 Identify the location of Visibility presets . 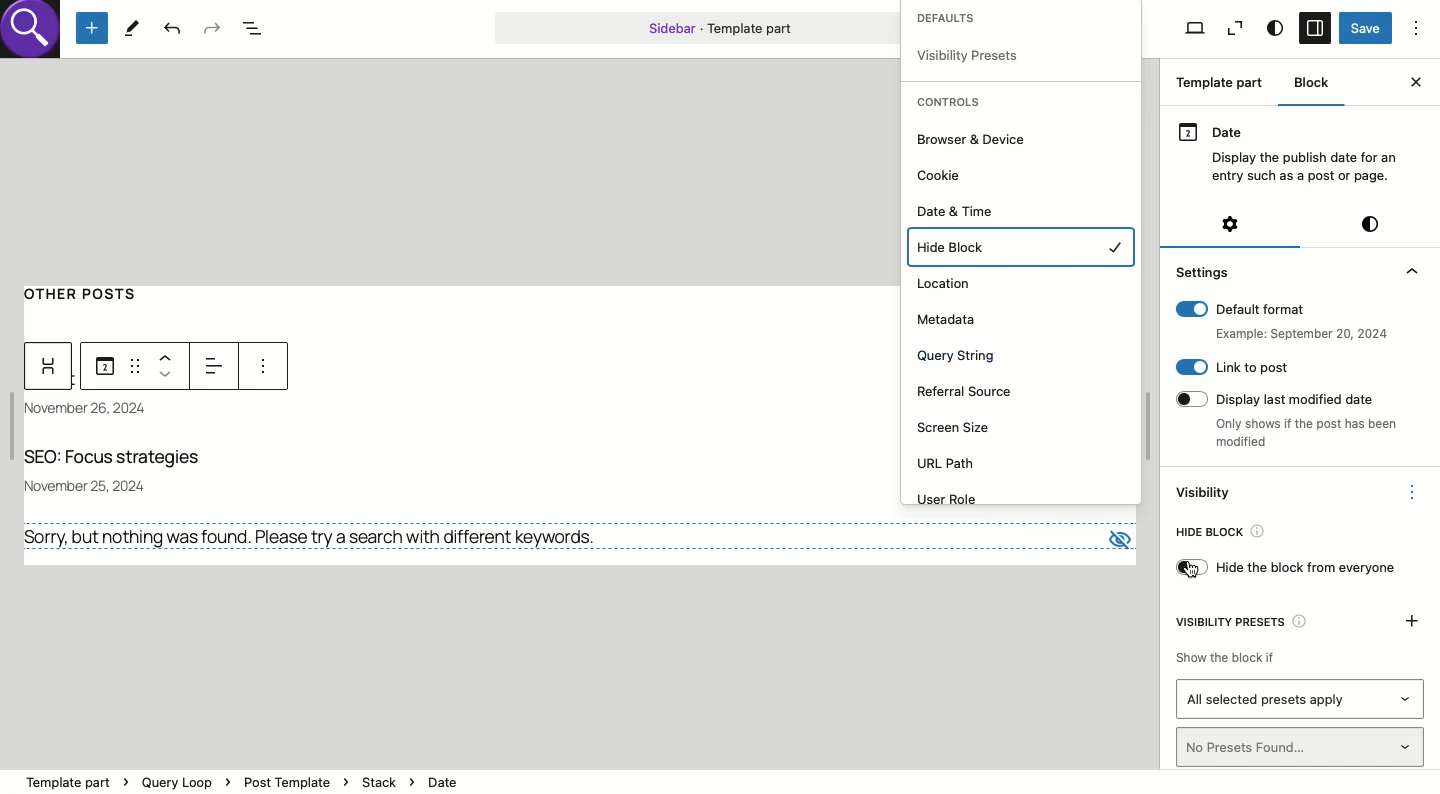
(1248, 620).